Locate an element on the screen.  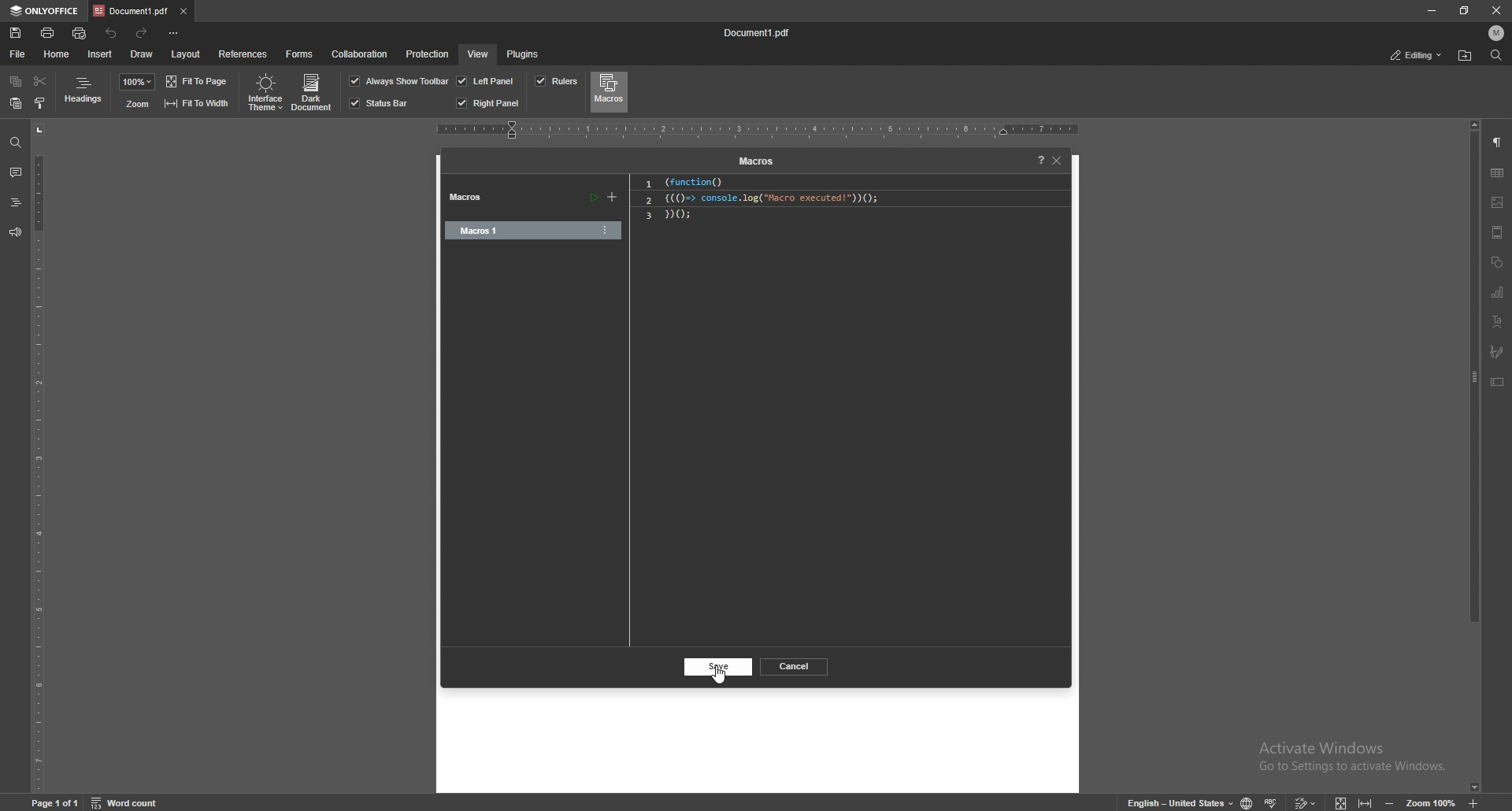
protection is located at coordinates (428, 53).